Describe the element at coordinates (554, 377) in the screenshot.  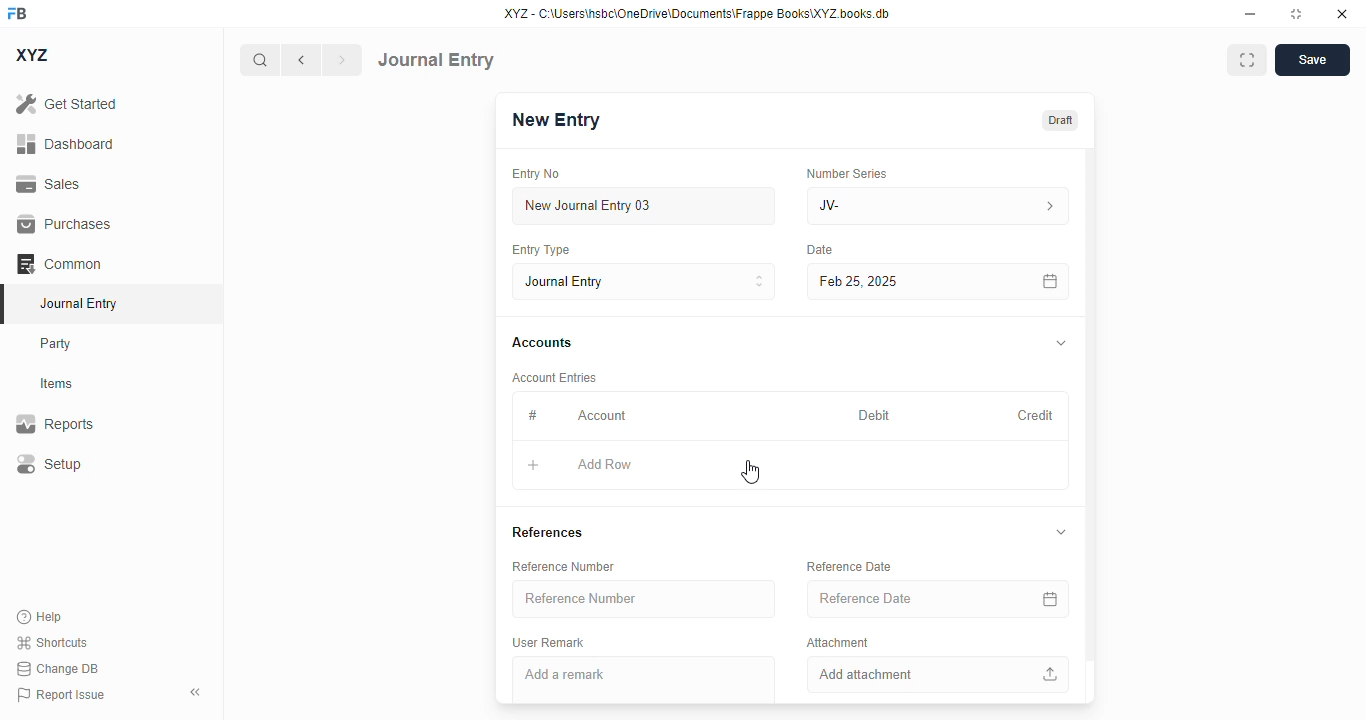
I see `account entries` at that location.